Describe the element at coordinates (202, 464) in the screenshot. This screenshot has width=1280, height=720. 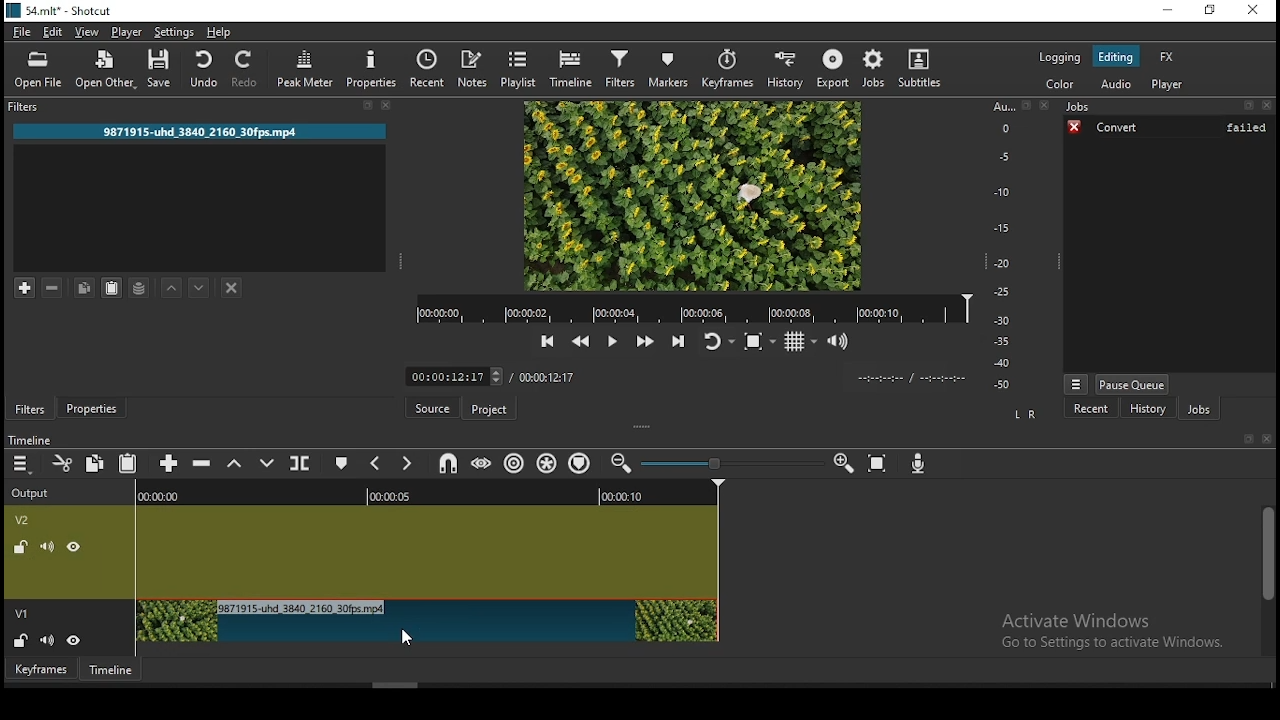
I see `ripple delete` at that location.